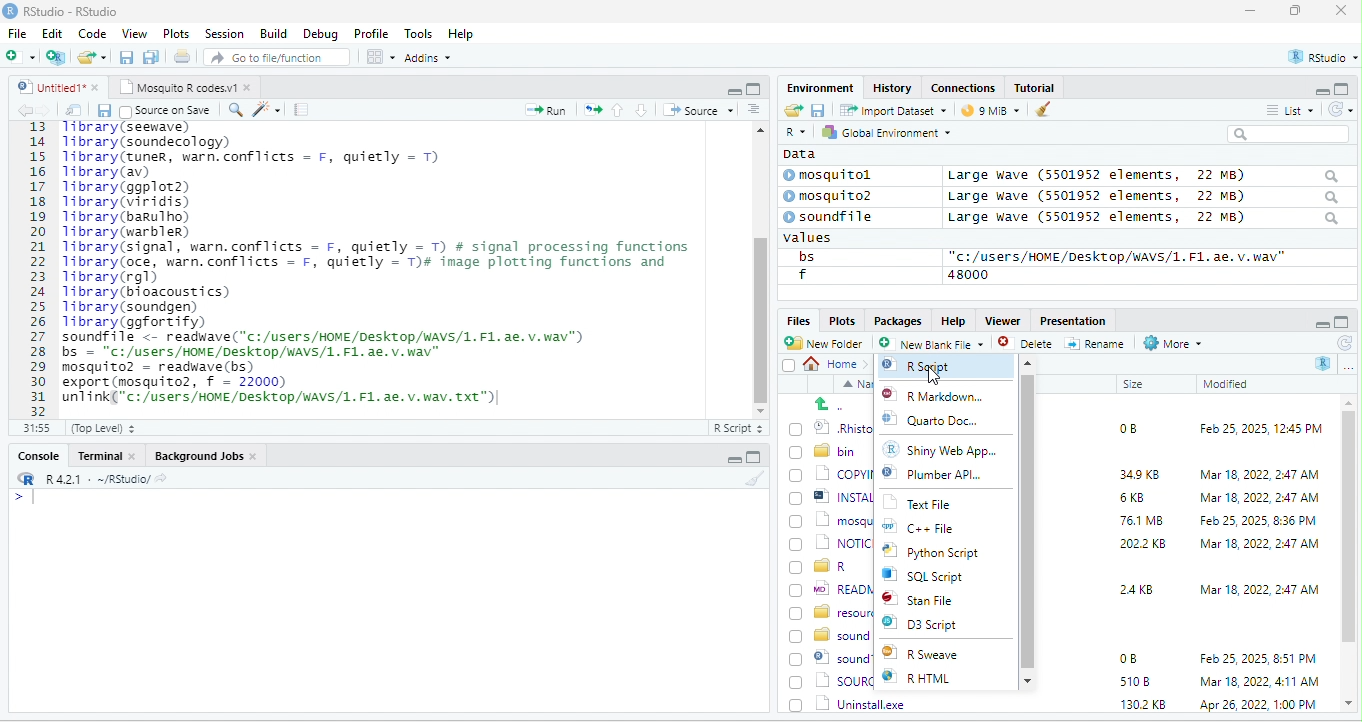 The width and height of the screenshot is (1362, 722). Describe the element at coordinates (1144, 545) in the screenshot. I see `2022 KB` at that location.